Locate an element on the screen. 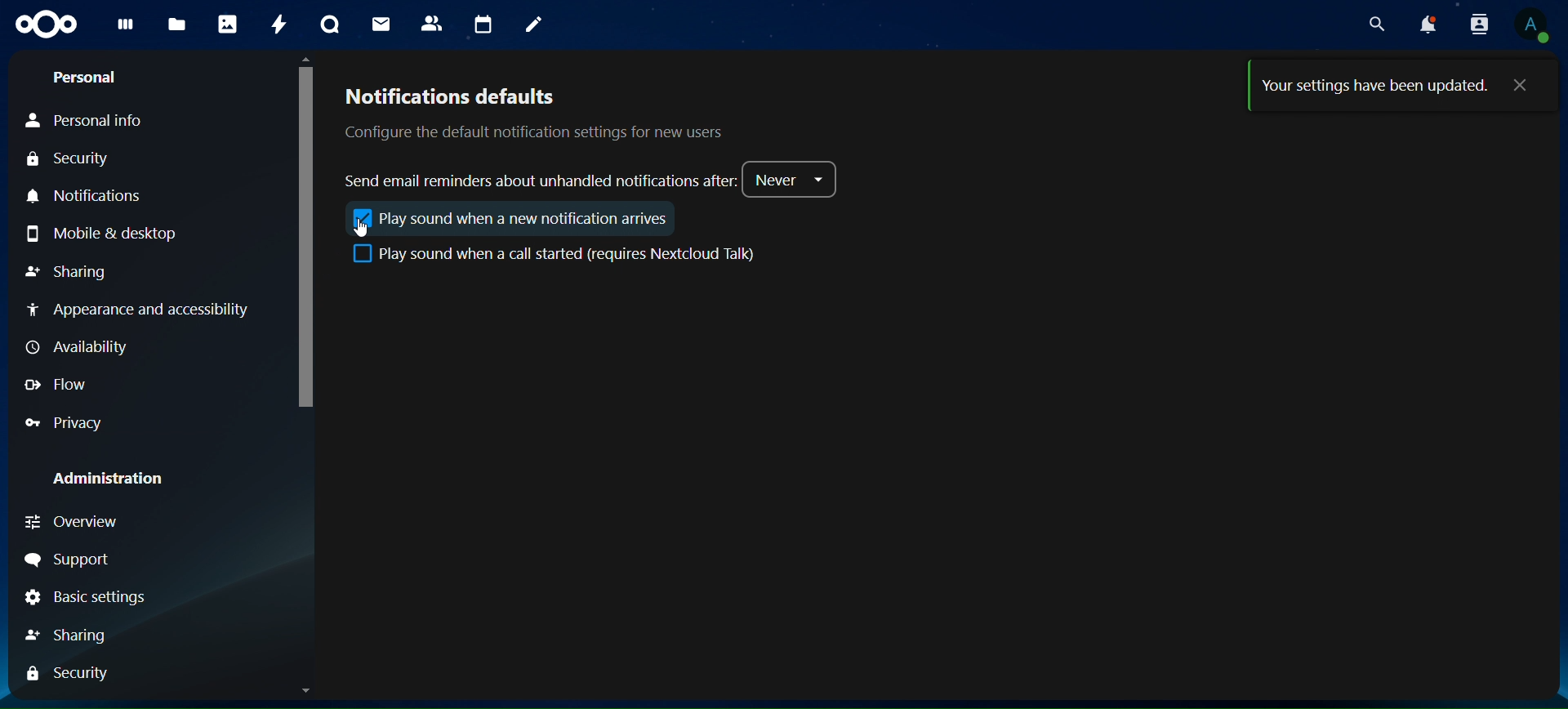 Image resolution: width=1568 pixels, height=709 pixels. contacts is located at coordinates (431, 25).